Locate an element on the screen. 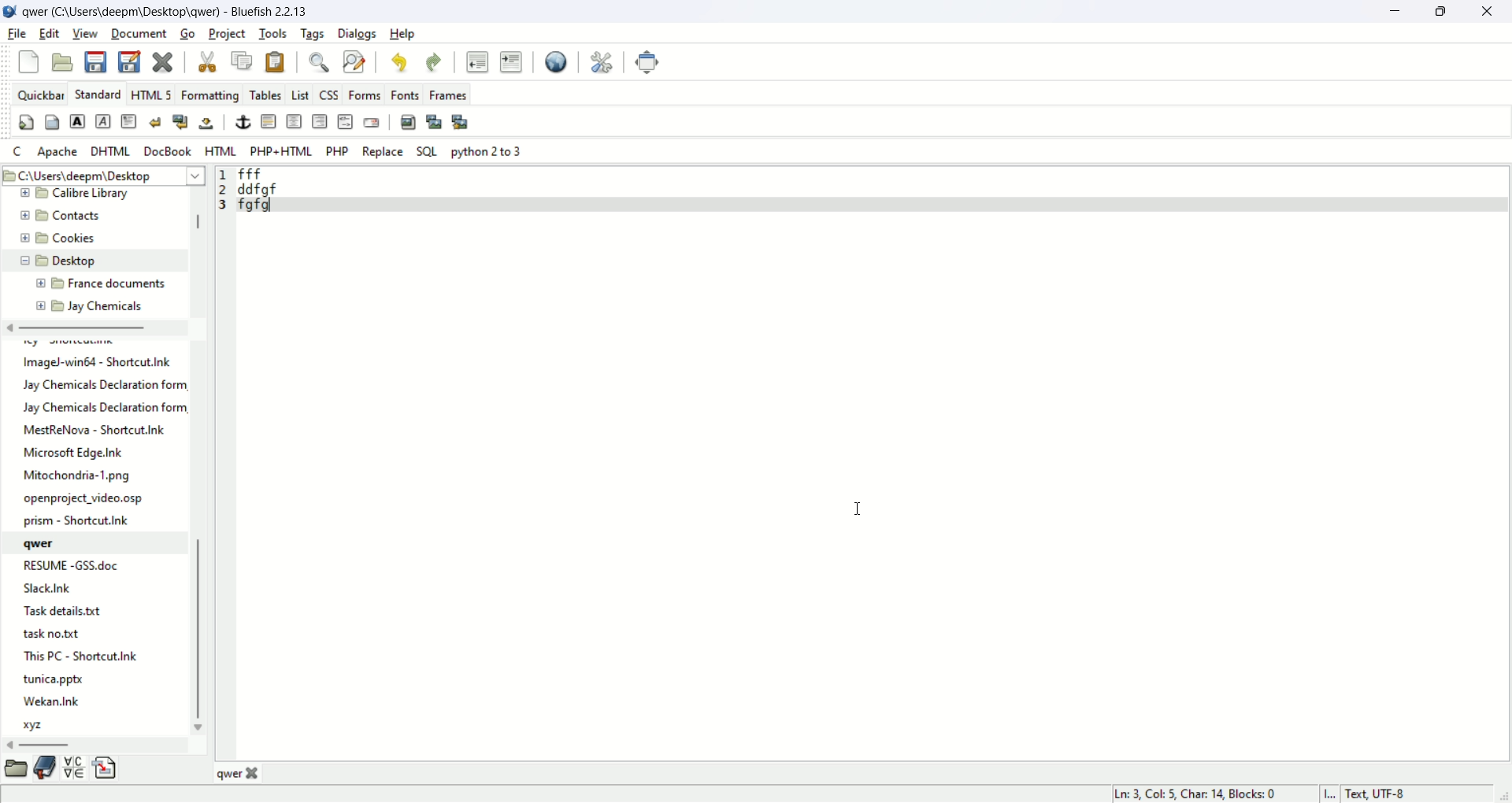  file is located at coordinates (81, 453).